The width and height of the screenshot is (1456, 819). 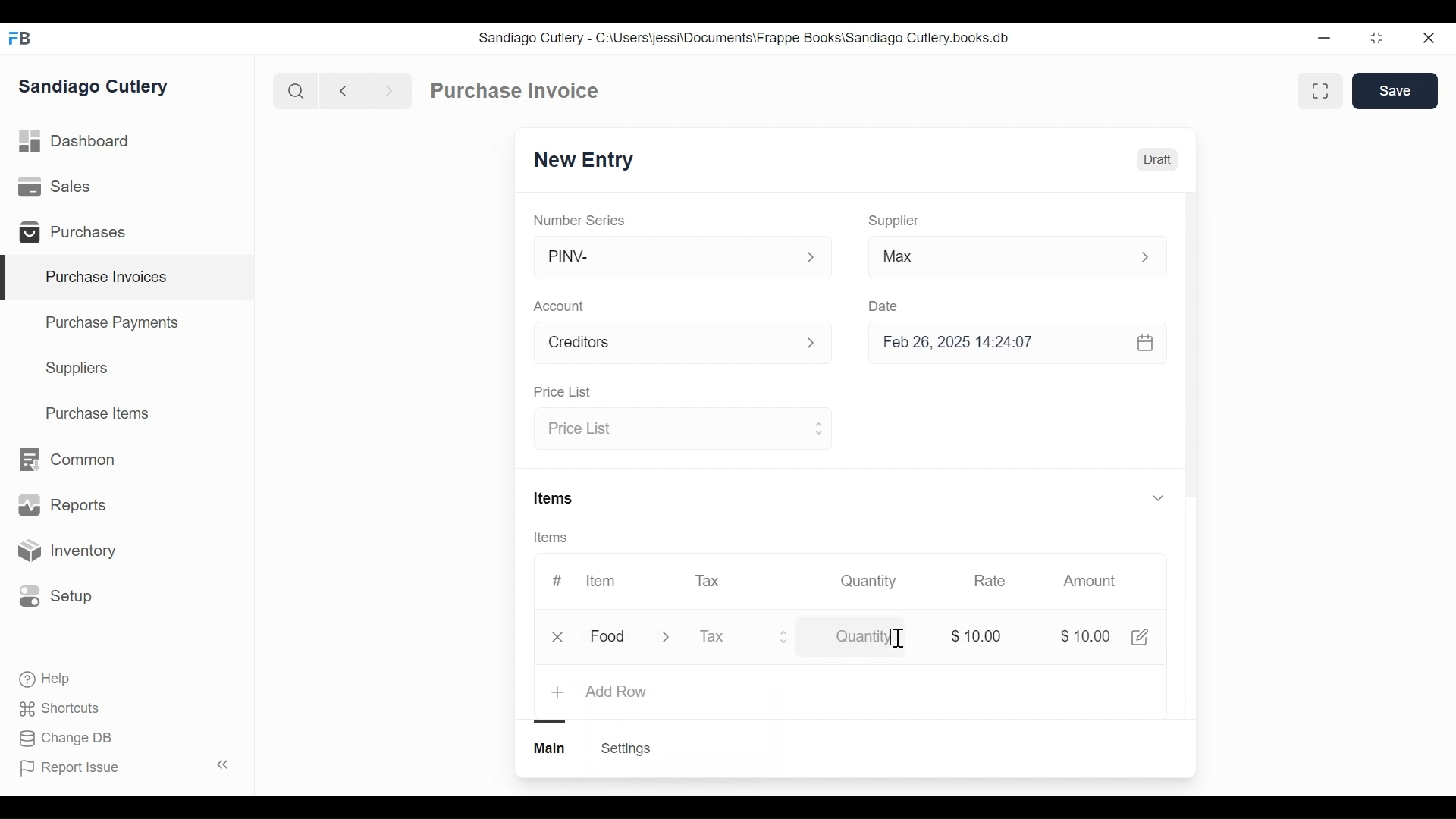 What do you see at coordinates (1093, 582) in the screenshot?
I see `Amount` at bounding box center [1093, 582].